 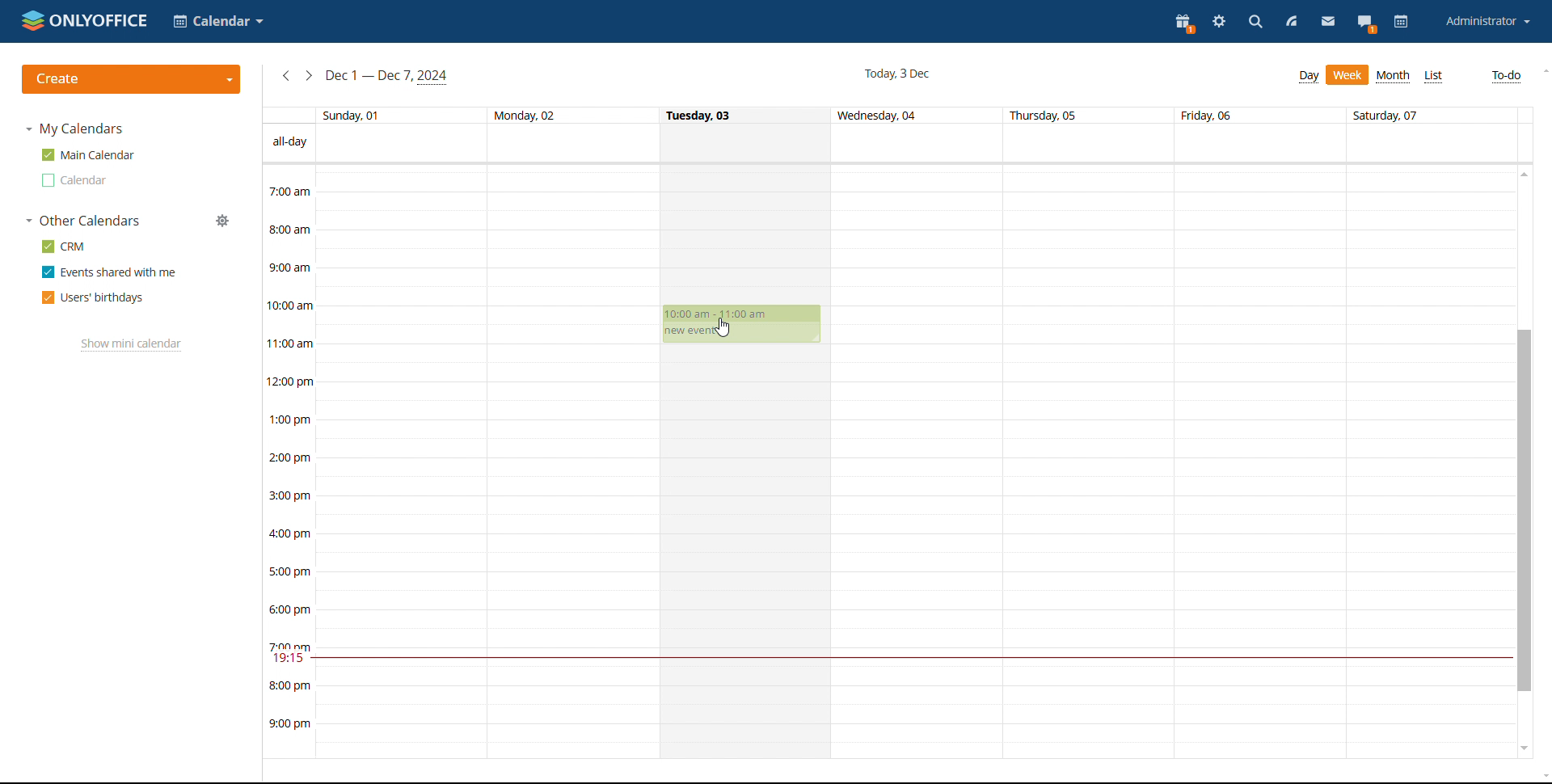 I want to click on 19:15, so click(x=290, y=660).